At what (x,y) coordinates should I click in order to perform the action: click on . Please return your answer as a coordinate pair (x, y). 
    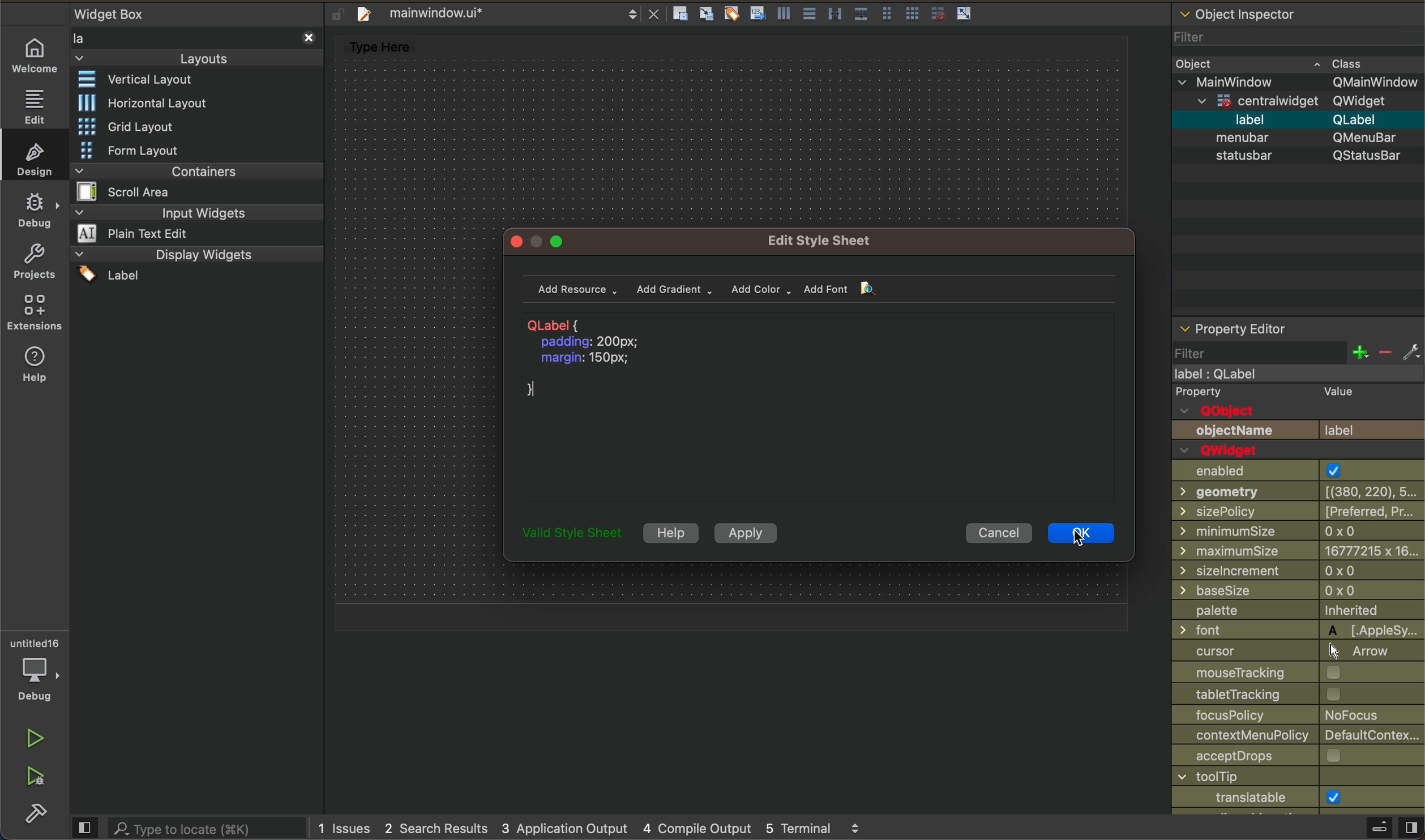
    Looking at the image, I should click on (570, 534).